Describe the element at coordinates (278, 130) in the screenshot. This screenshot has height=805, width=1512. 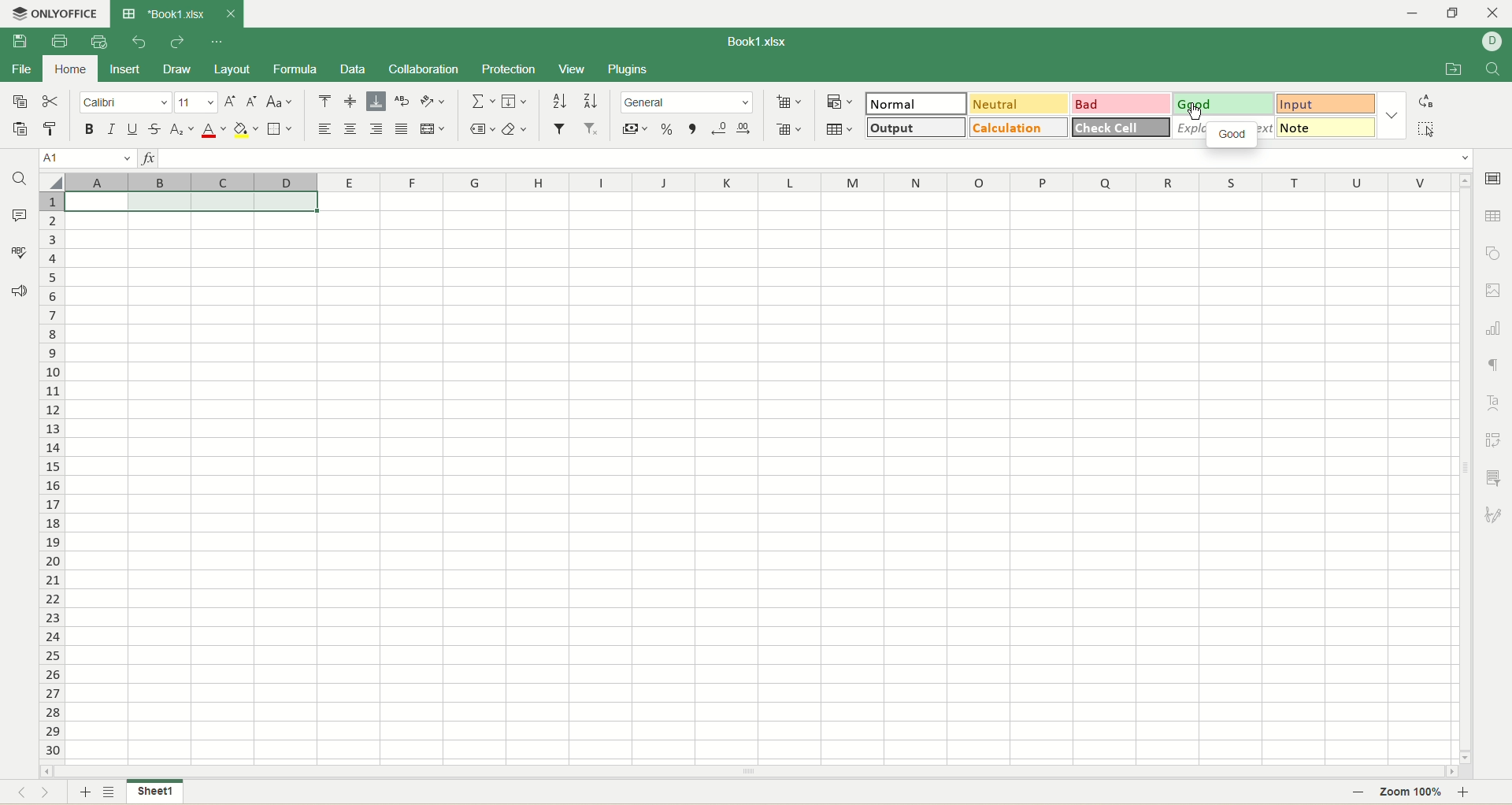
I see `border` at that location.